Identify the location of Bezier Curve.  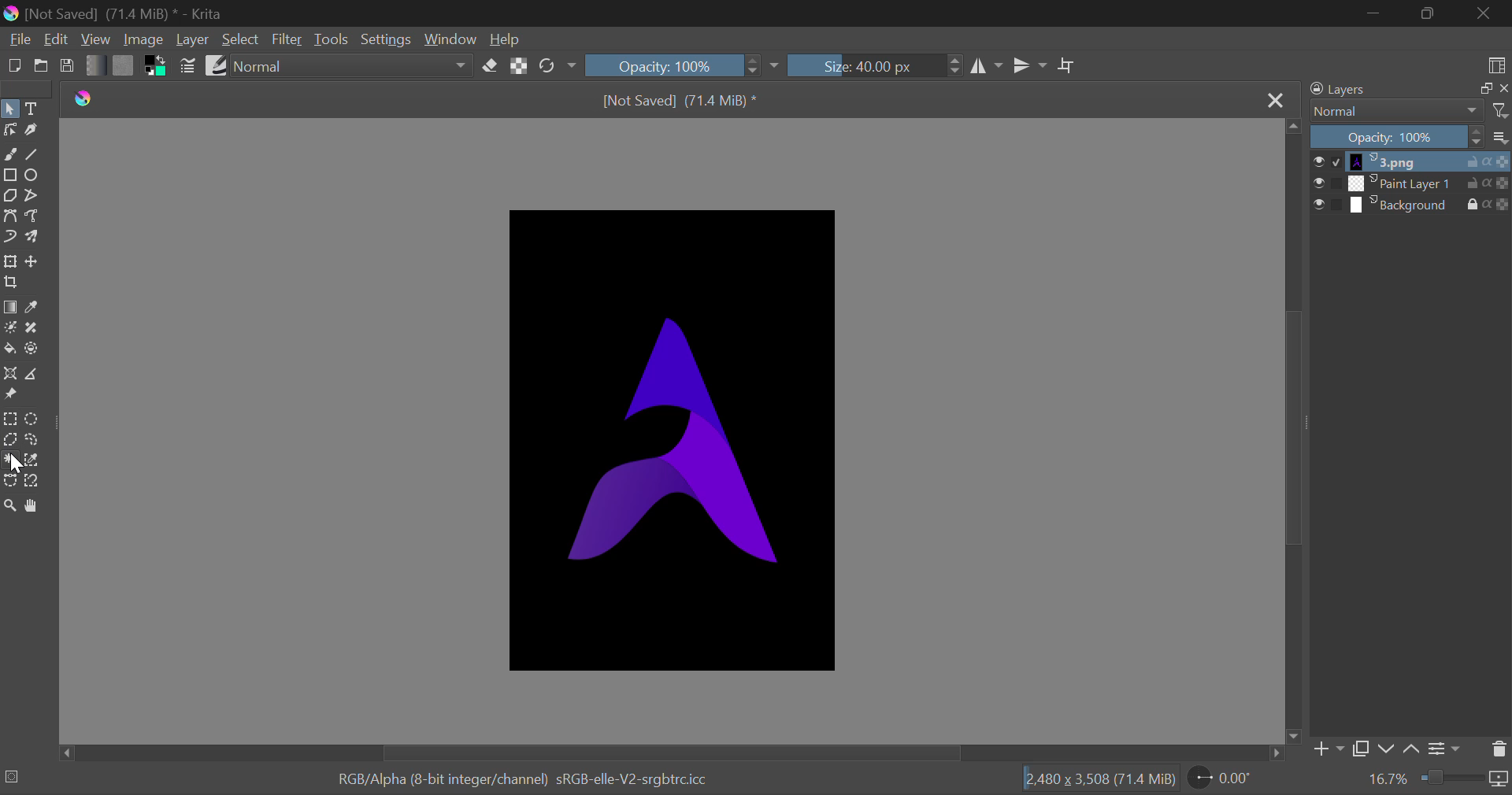
(9, 216).